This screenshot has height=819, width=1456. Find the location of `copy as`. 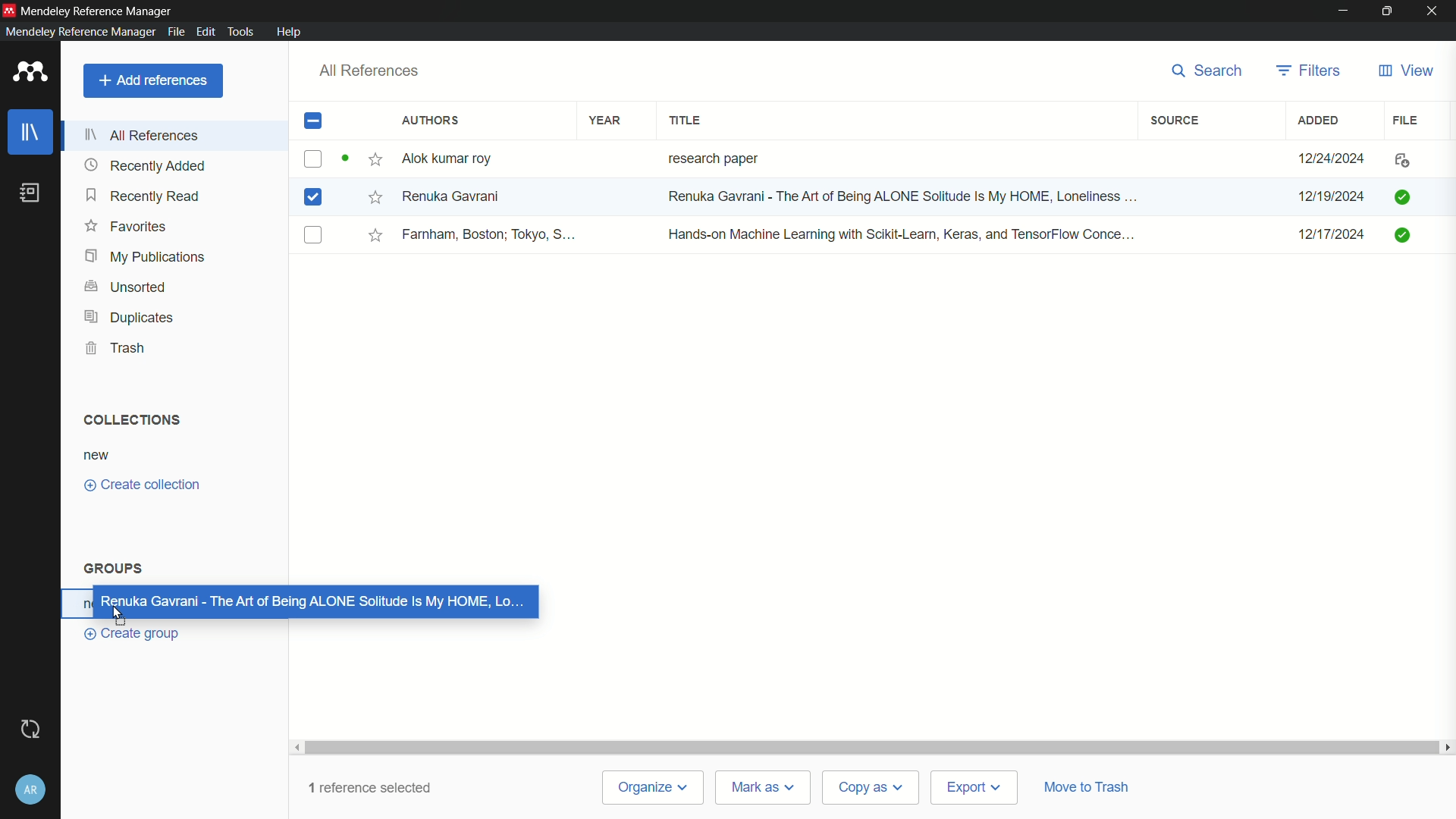

copy as is located at coordinates (869, 789).